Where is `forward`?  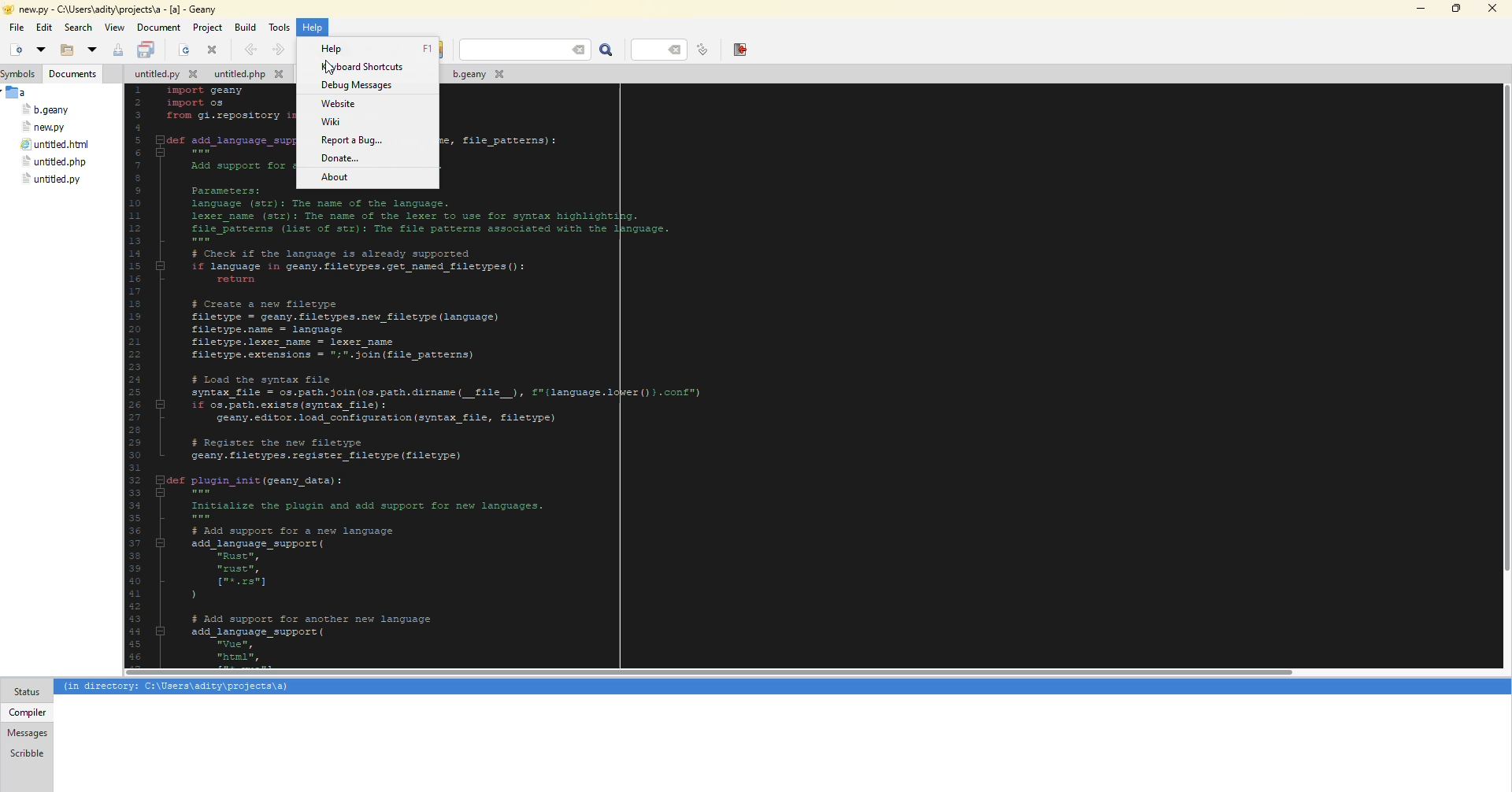 forward is located at coordinates (276, 50).